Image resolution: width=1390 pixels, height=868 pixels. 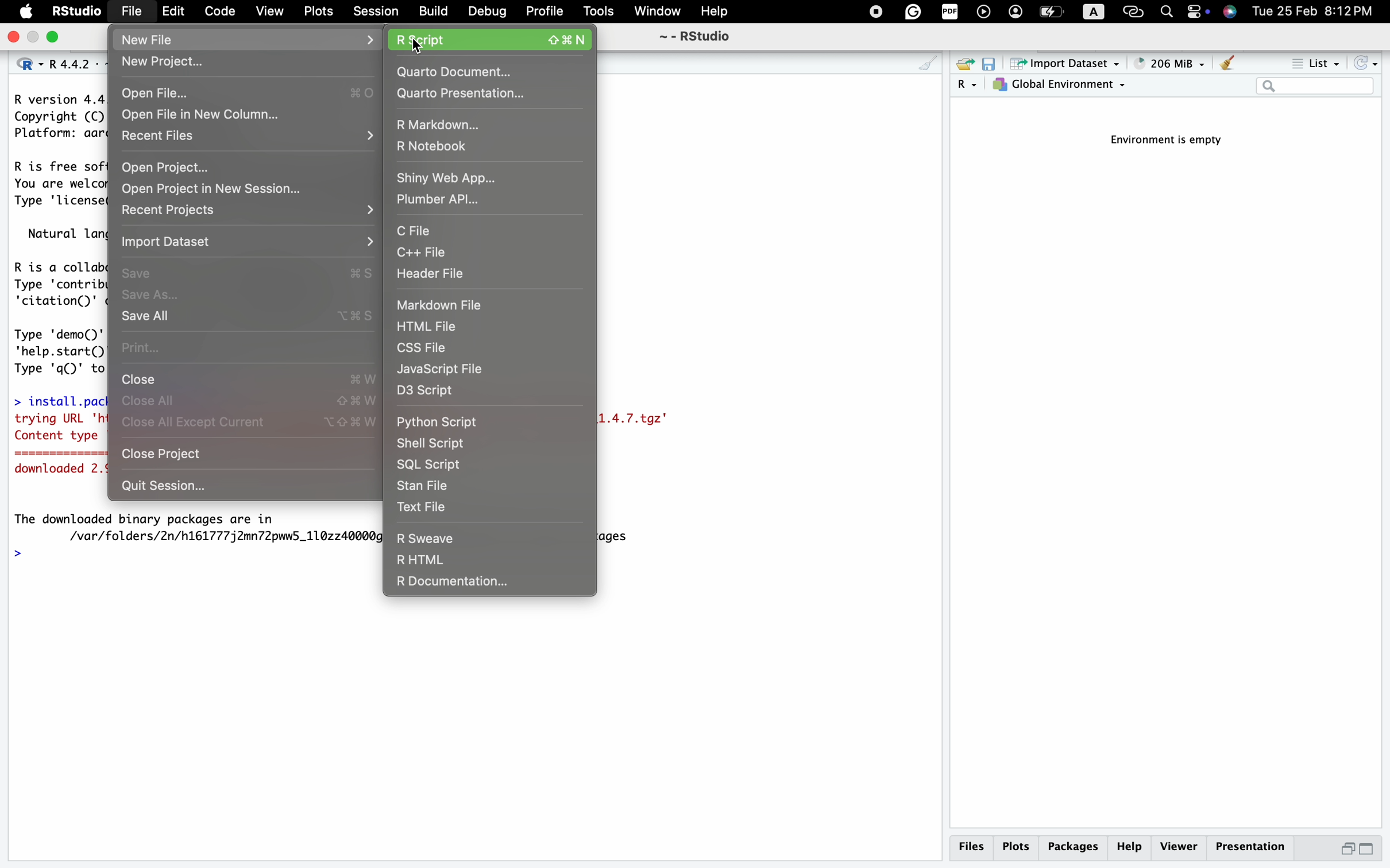 What do you see at coordinates (474, 394) in the screenshot?
I see `D3 script` at bounding box center [474, 394].